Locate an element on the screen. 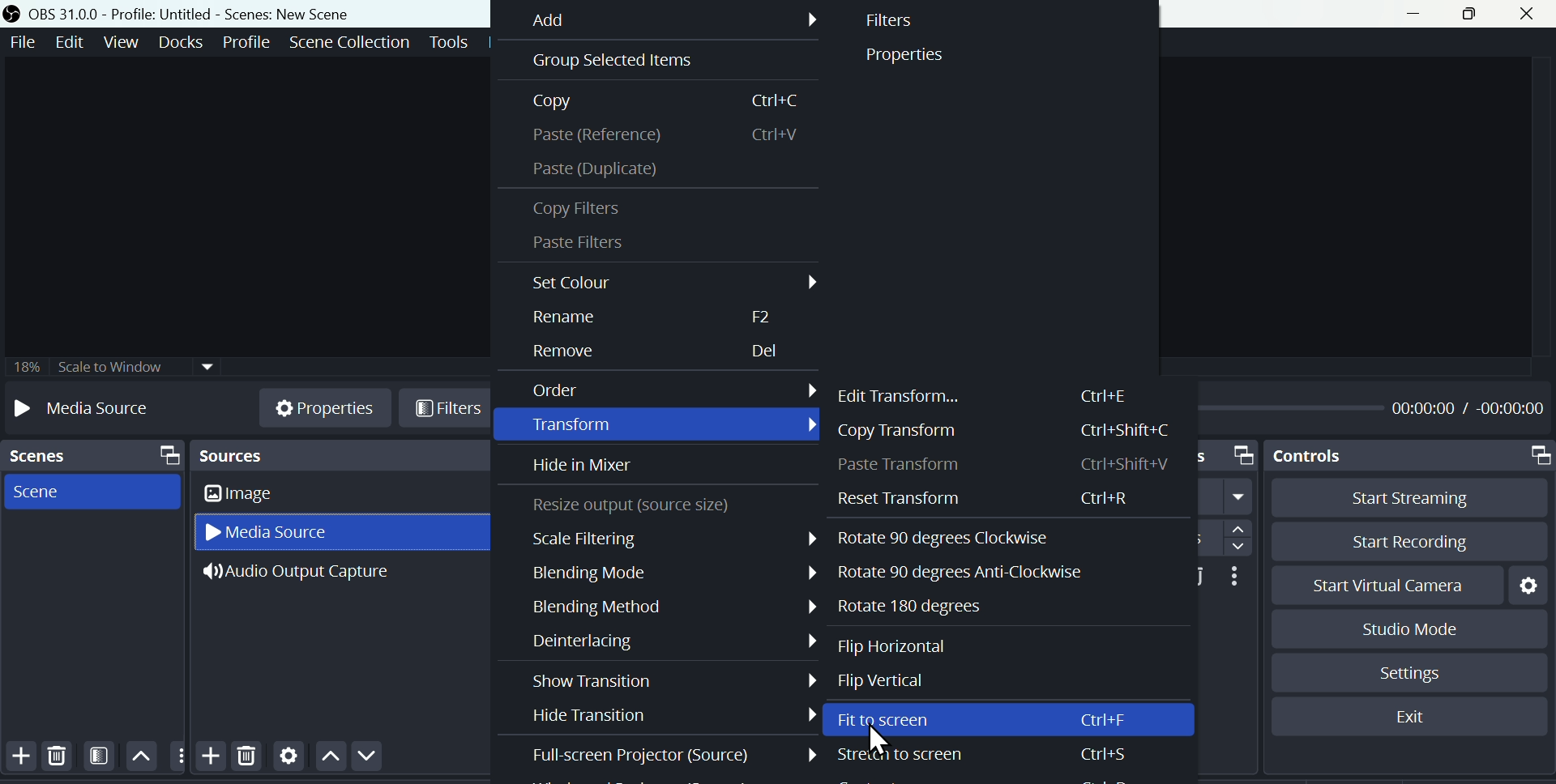 Image resolution: width=1556 pixels, height=784 pixels. Ctrl+F is located at coordinates (1114, 721).